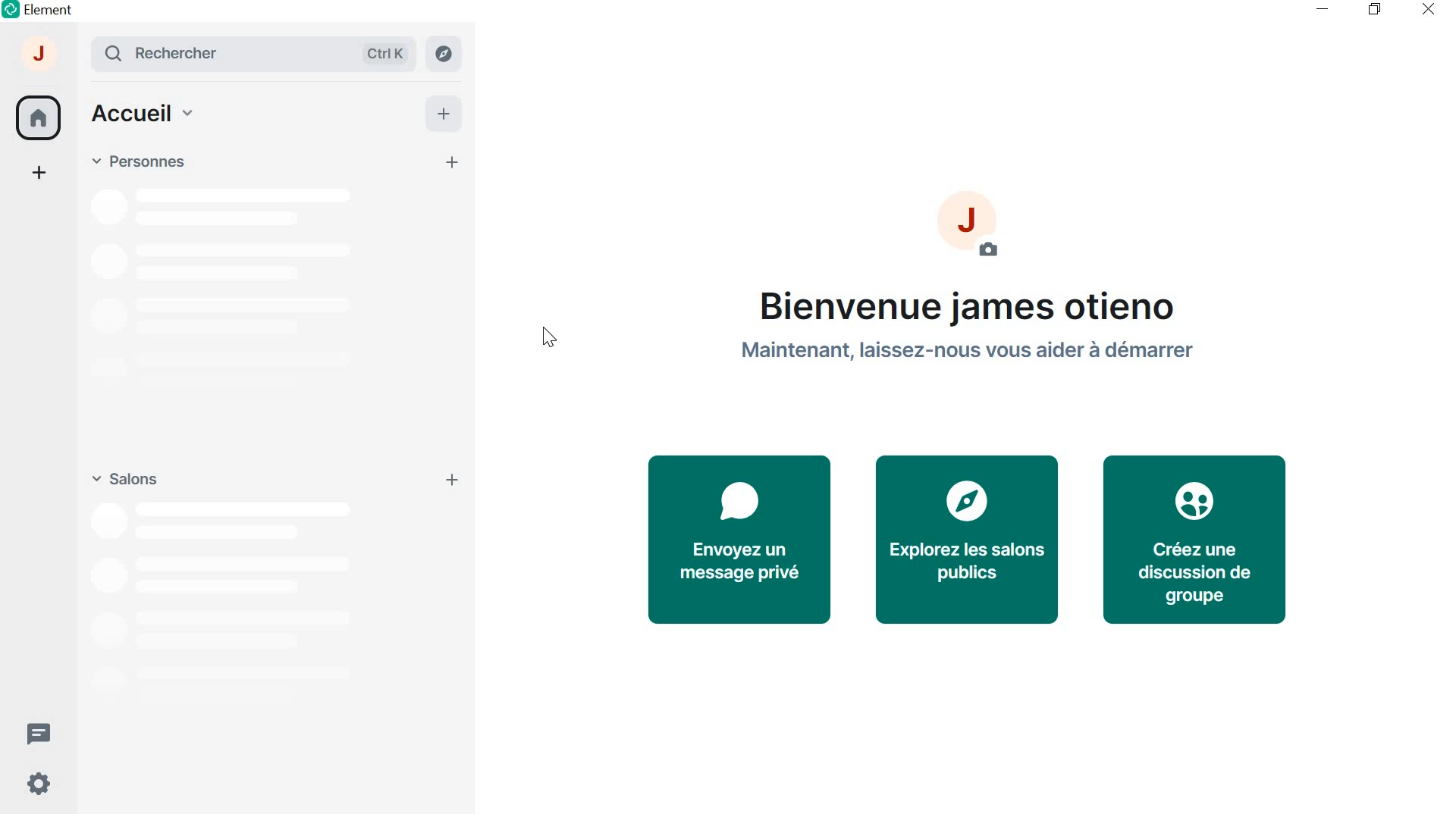  Describe the element at coordinates (1424, 8) in the screenshot. I see `CLOSE` at that location.